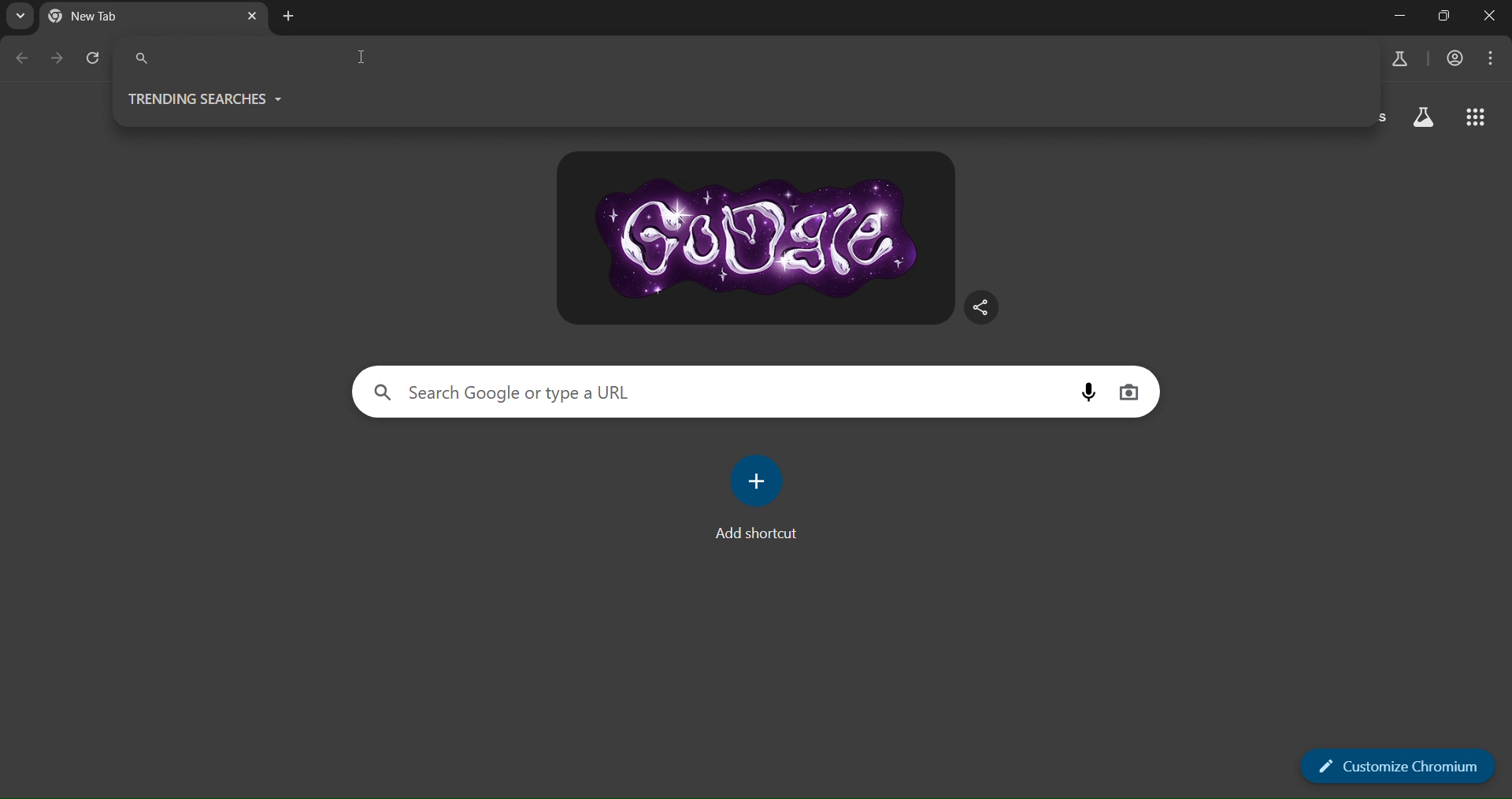 This screenshot has height=799, width=1512. I want to click on text cursor, so click(356, 55).